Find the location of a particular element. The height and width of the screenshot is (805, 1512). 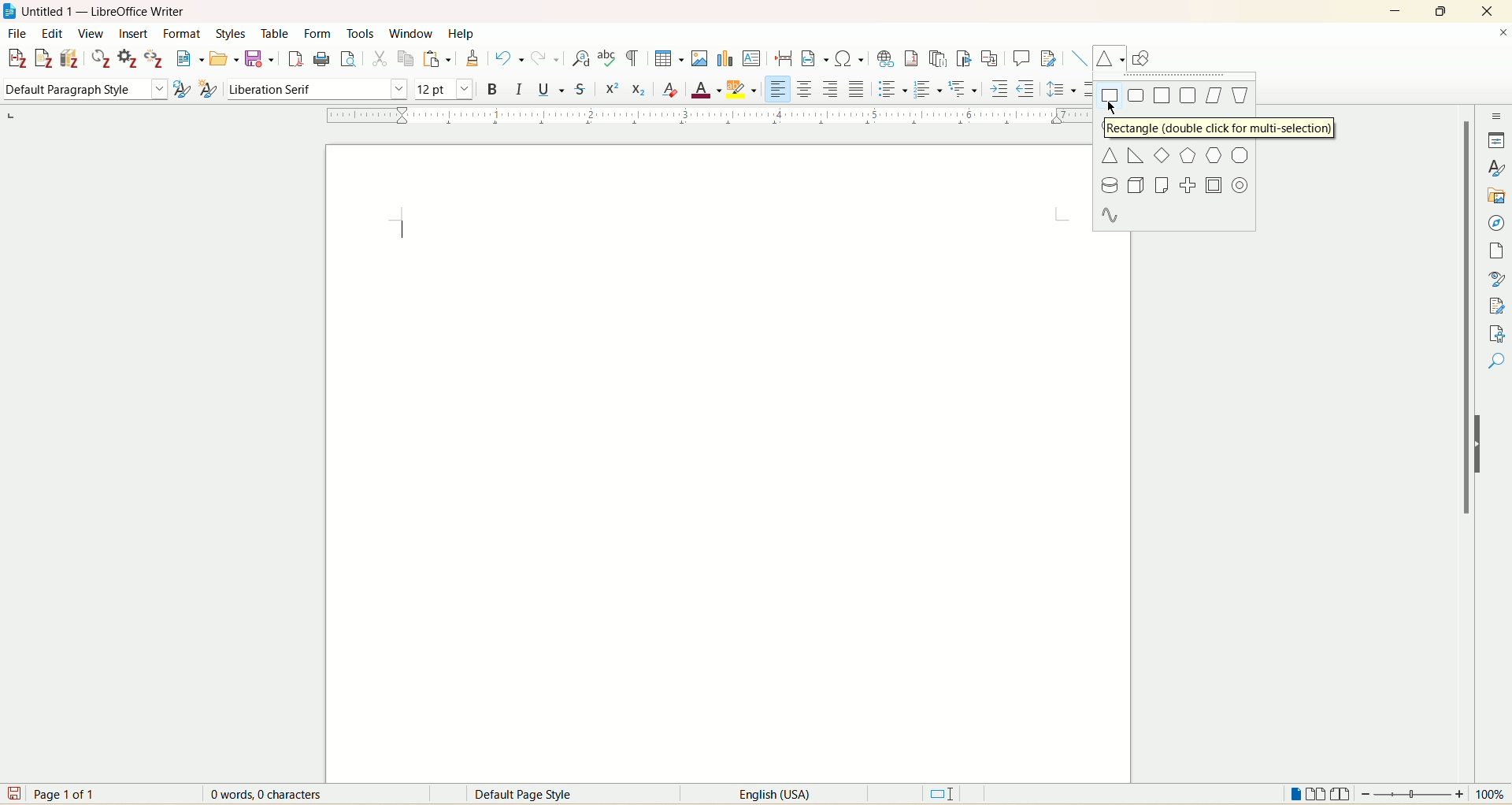

character highlighting is located at coordinates (743, 87).